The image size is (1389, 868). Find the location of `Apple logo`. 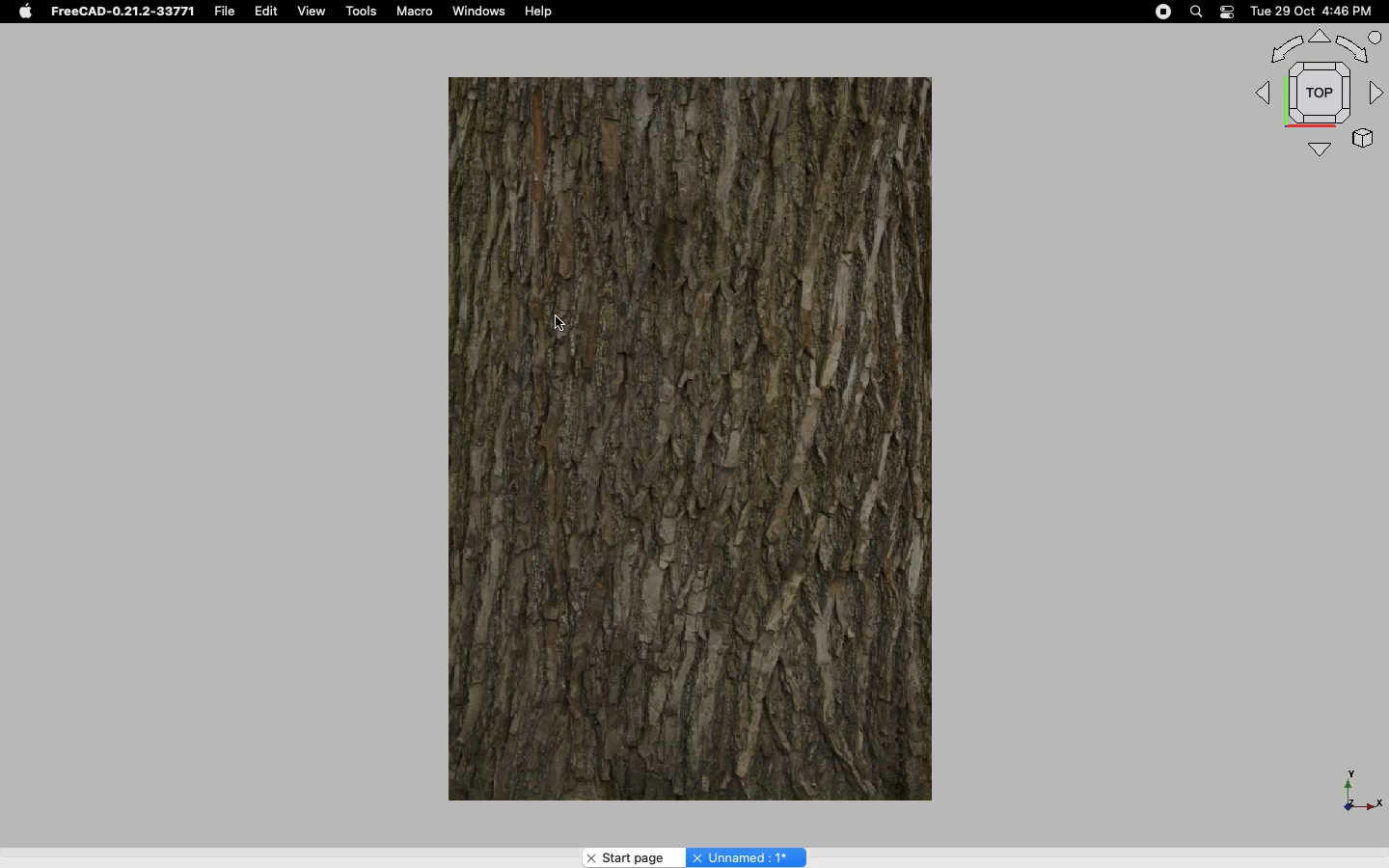

Apple logo is located at coordinates (24, 12).